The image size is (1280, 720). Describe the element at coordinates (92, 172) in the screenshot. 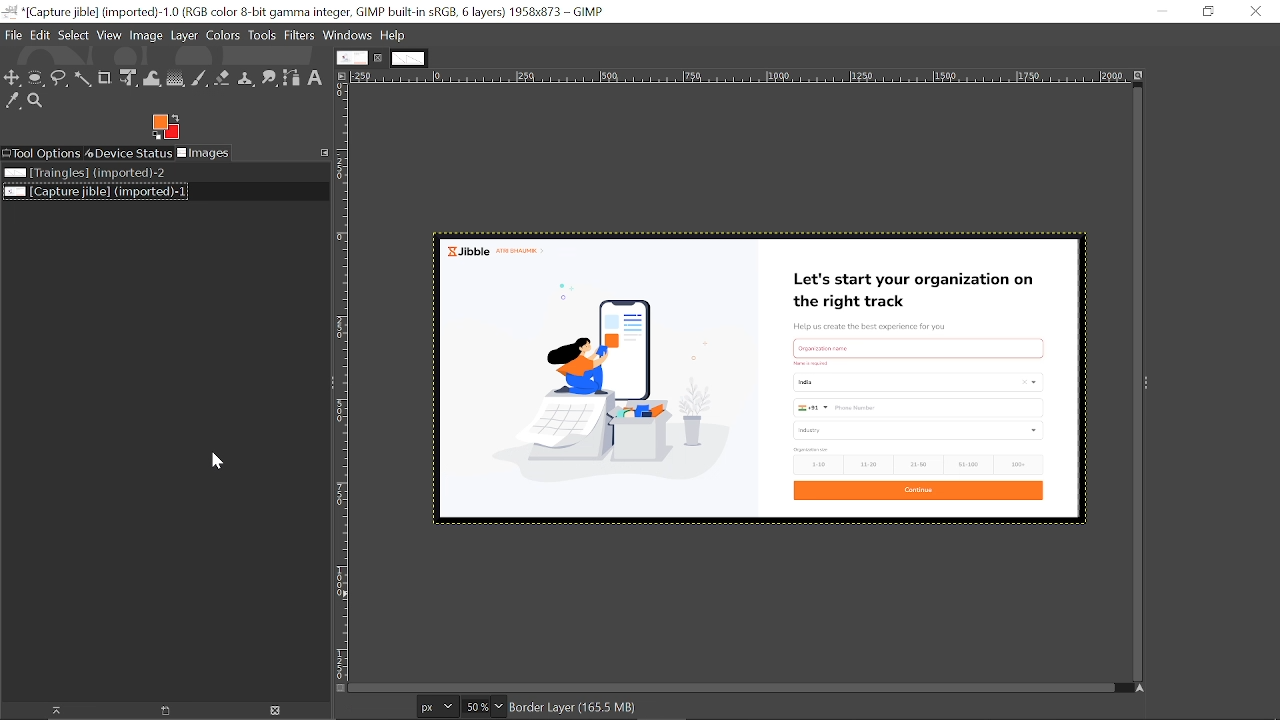

I see `Image file named "Triangles"` at that location.